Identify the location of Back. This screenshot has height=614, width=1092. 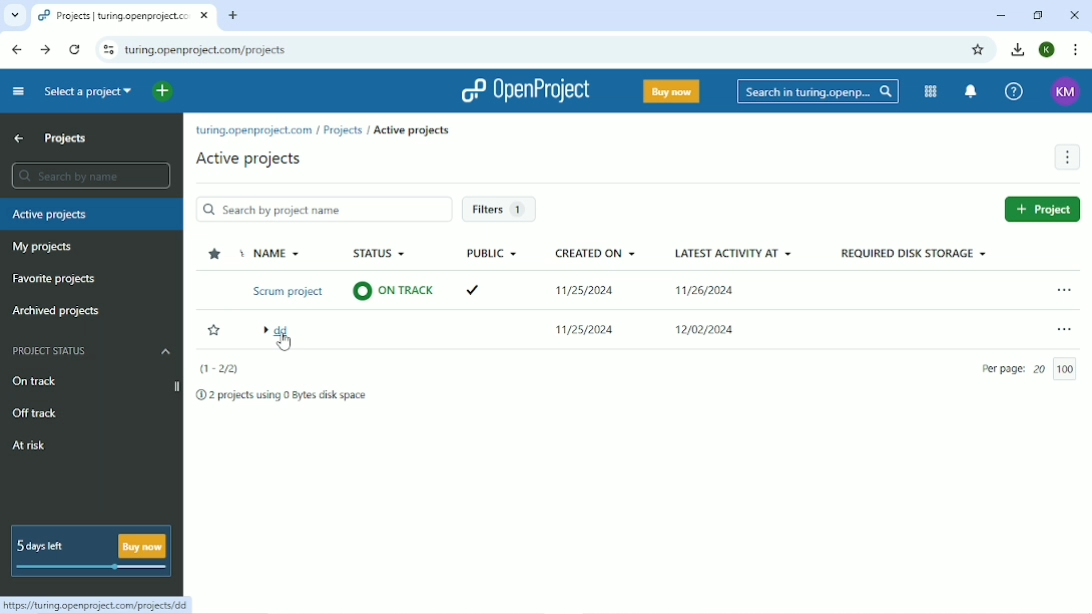
(18, 50).